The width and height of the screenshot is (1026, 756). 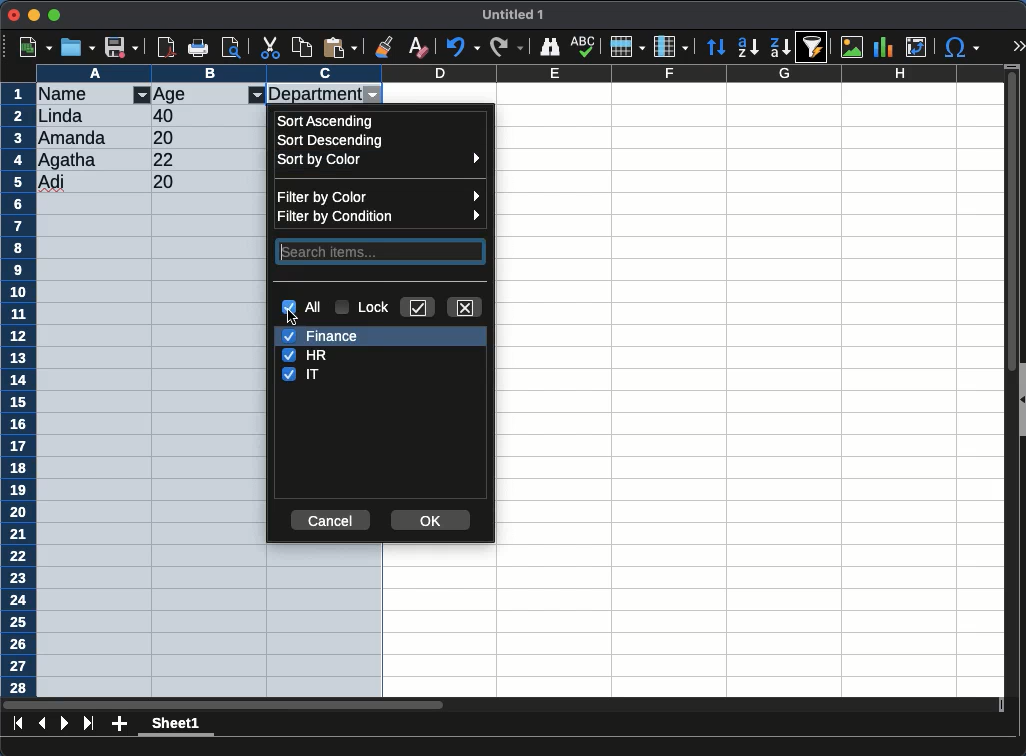 What do you see at coordinates (122, 47) in the screenshot?
I see `save` at bounding box center [122, 47].